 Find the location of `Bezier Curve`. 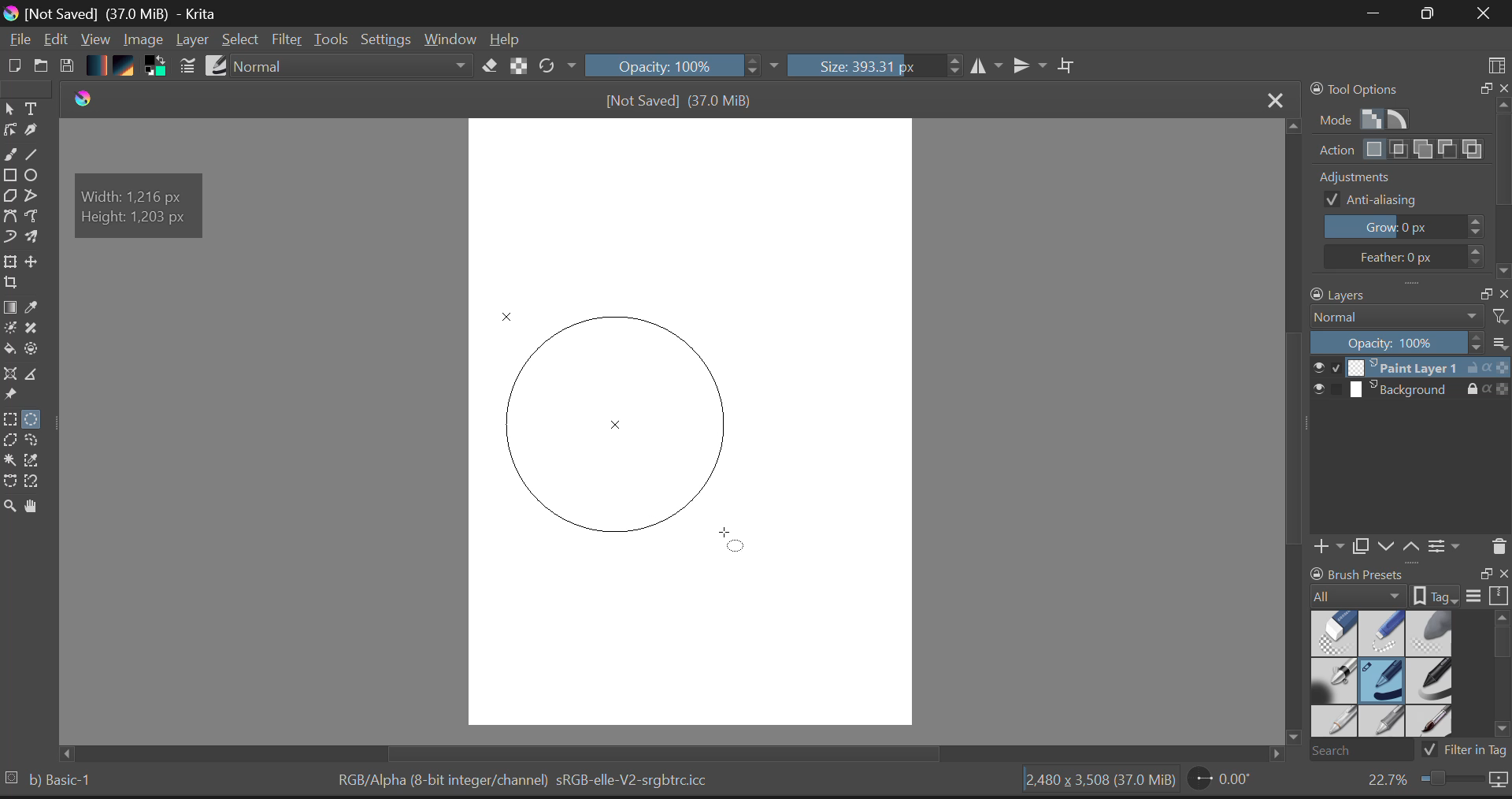

Bezier Curve is located at coordinates (11, 217).